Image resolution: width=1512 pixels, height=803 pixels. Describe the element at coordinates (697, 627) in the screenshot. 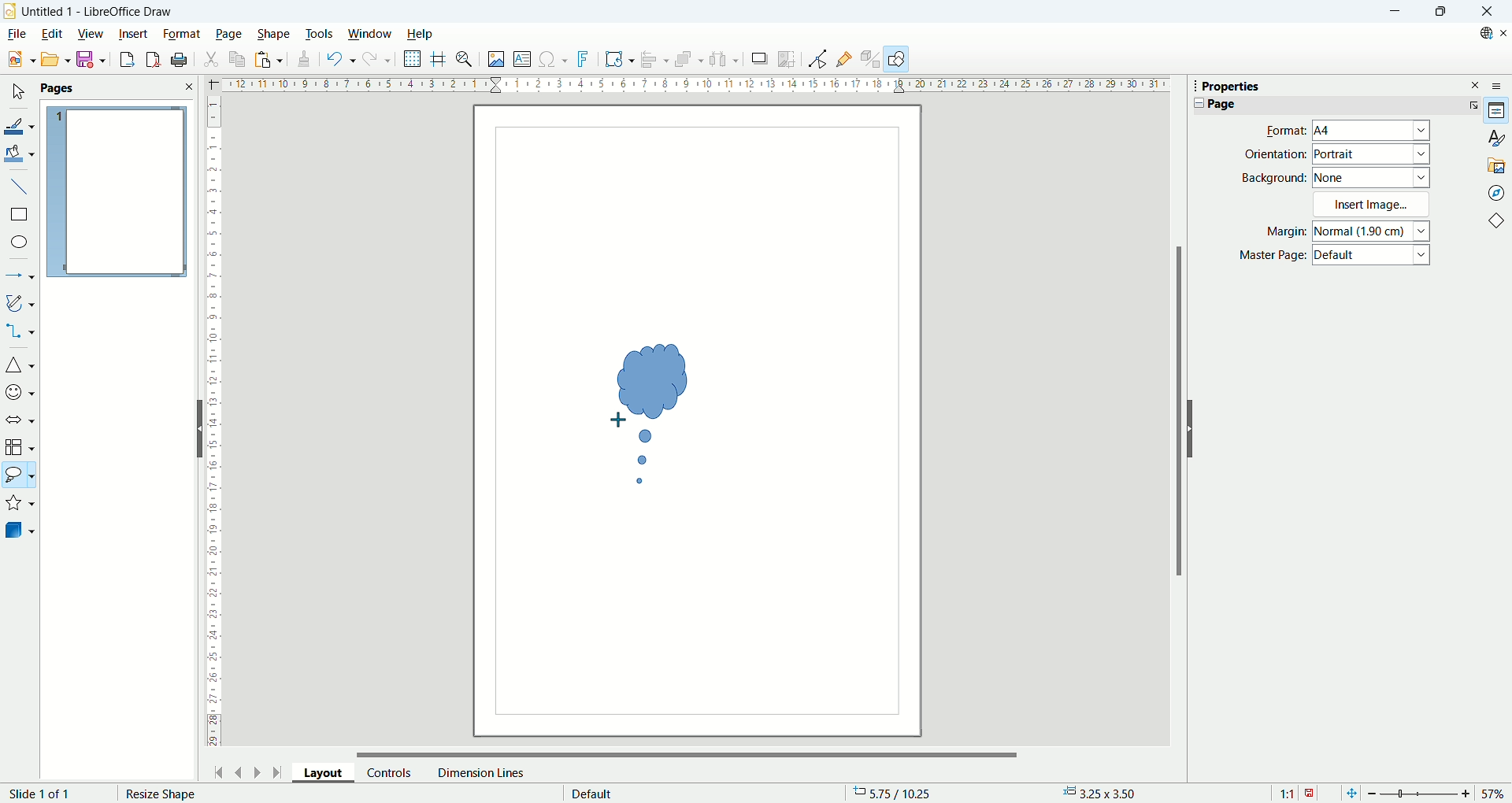

I see `Main Page` at that location.